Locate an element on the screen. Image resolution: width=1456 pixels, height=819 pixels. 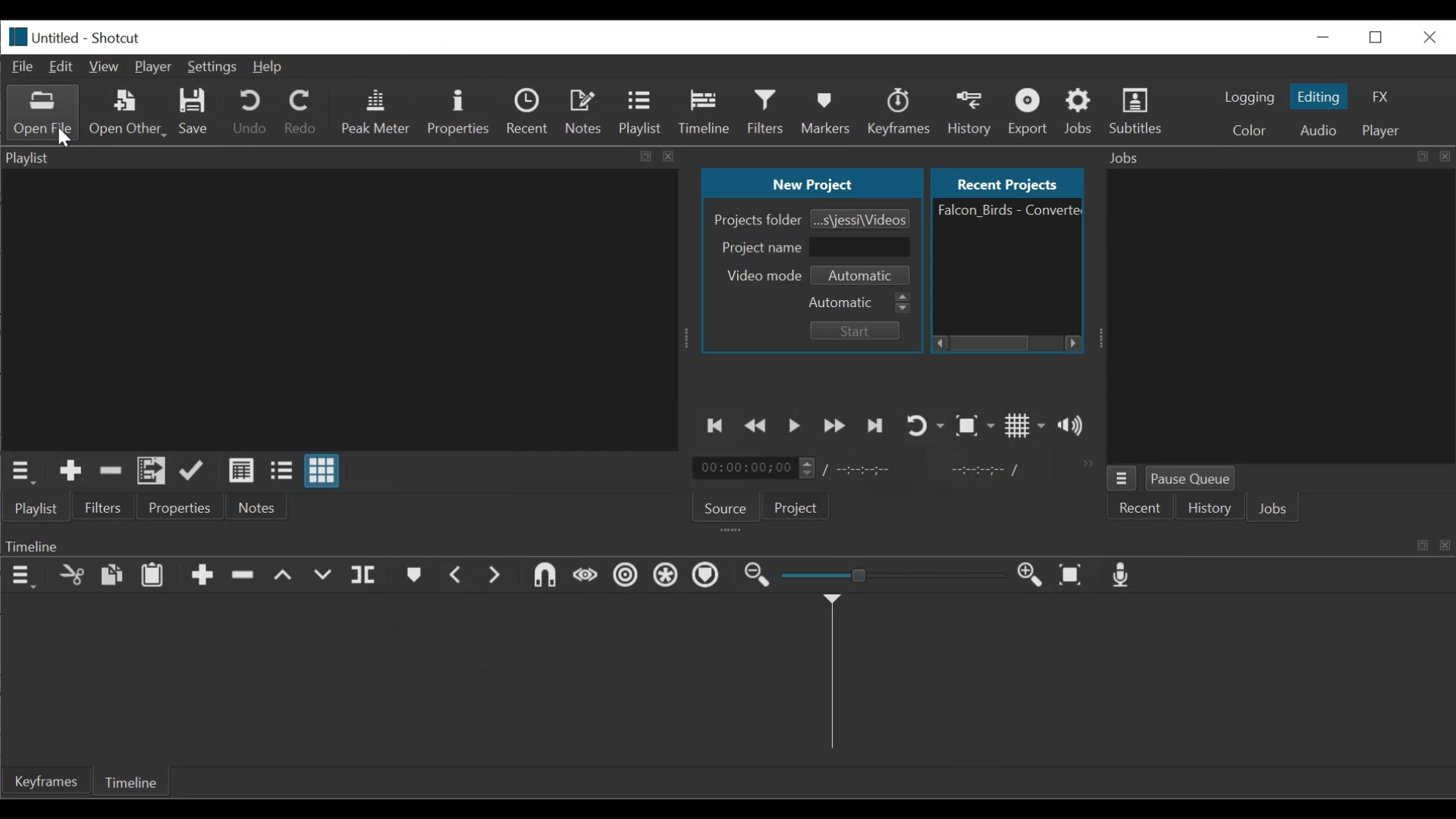
Add the Source to the playlist is located at coordinates (71, 472).